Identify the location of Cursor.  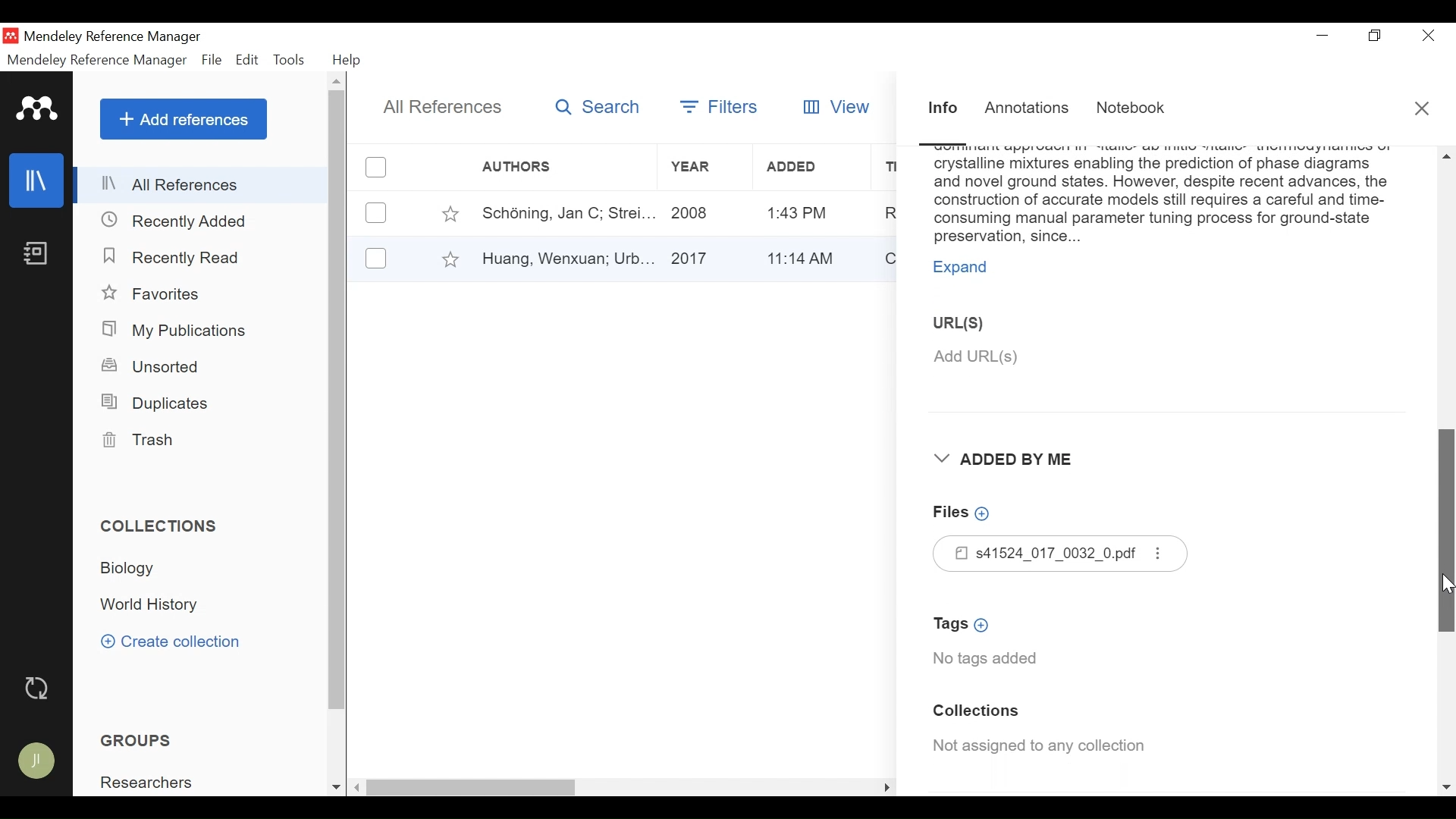
(1447, 584).